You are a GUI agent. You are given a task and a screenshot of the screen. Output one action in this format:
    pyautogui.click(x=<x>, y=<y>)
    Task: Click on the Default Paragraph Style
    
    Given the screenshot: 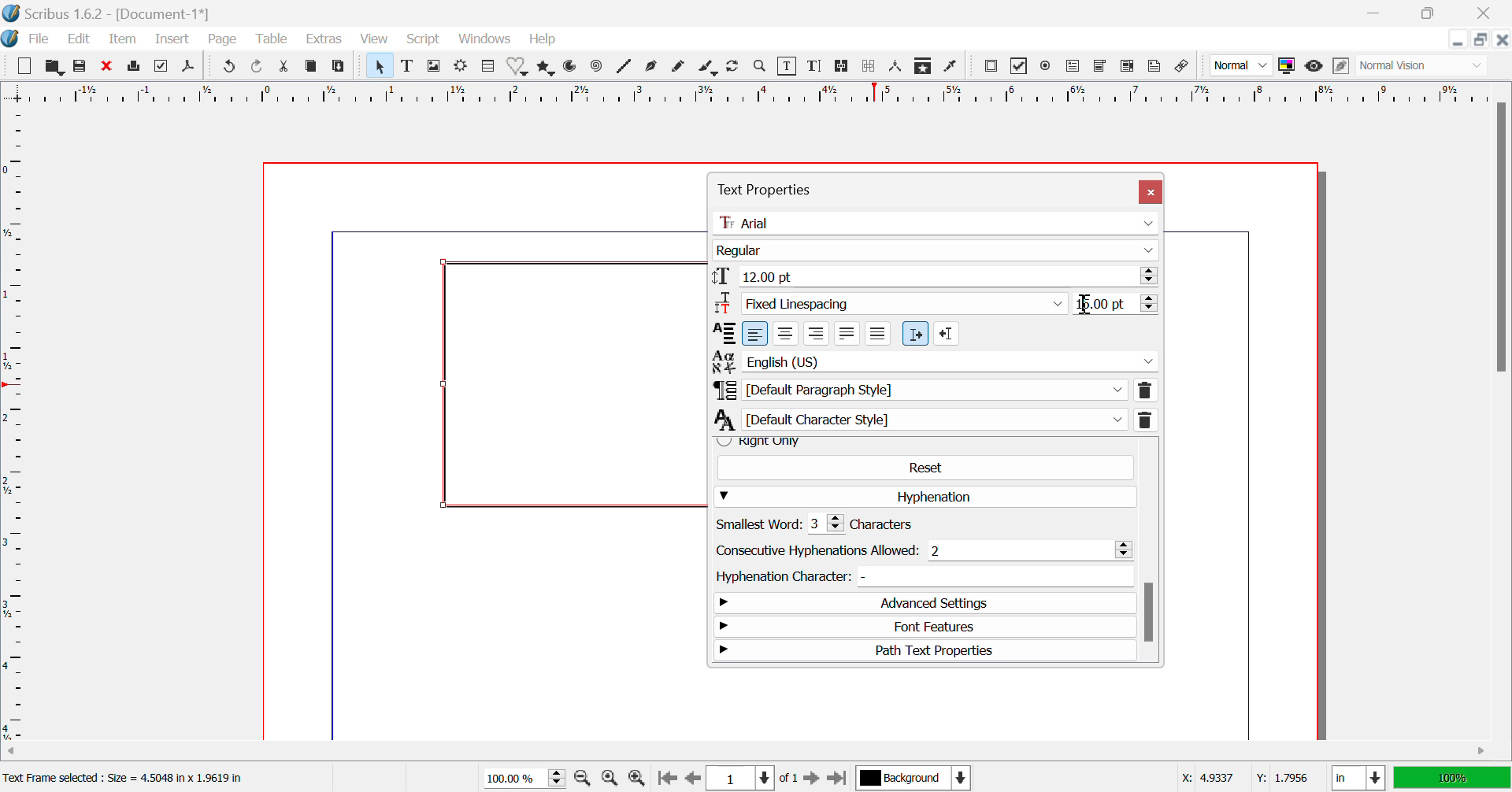 What is the action you would take?
    pyautogui.click(x=935, y=390)
    